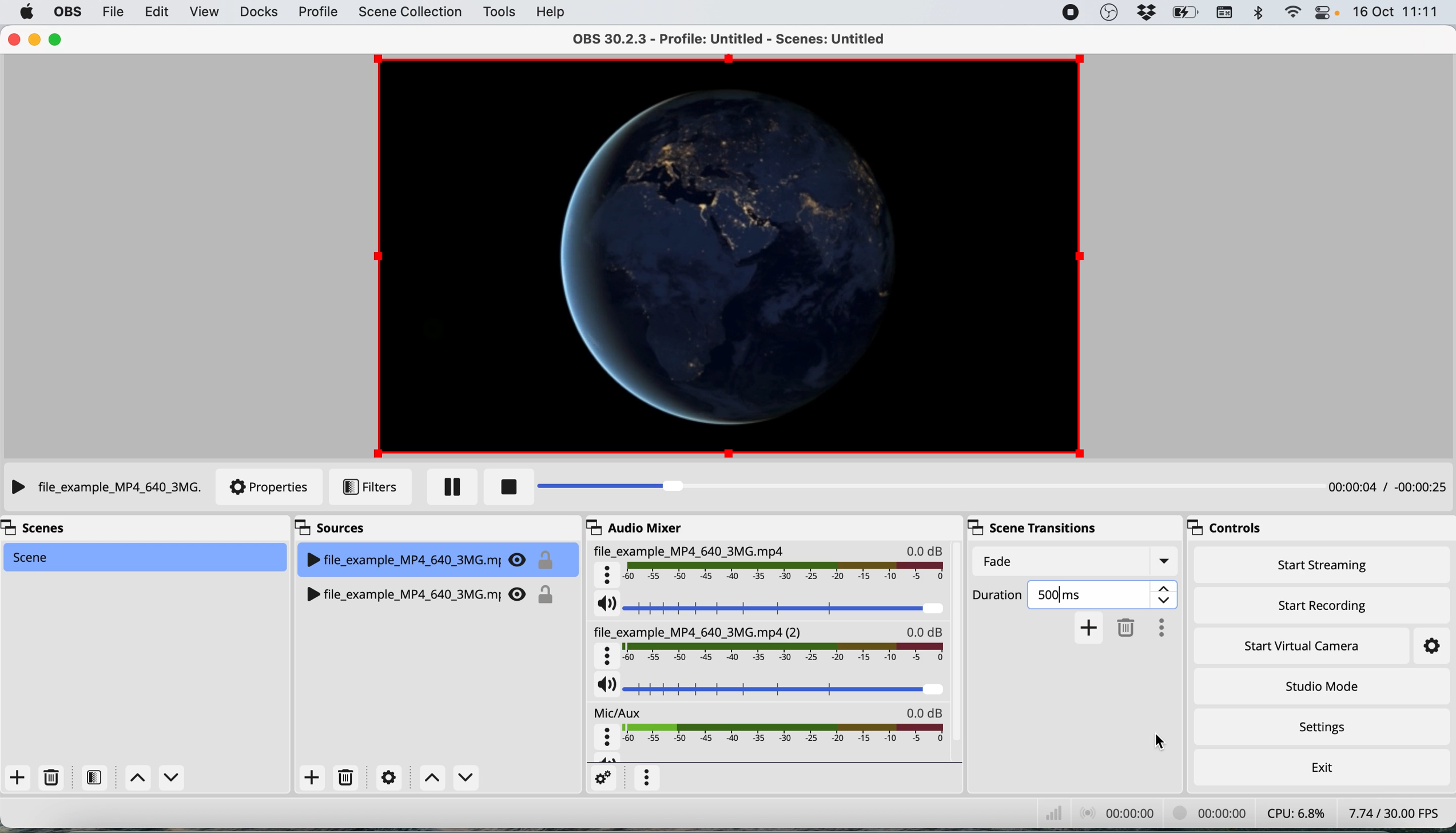  Describe the element at coordinates (204, 14) in the screenshot. I see `view` at that location.